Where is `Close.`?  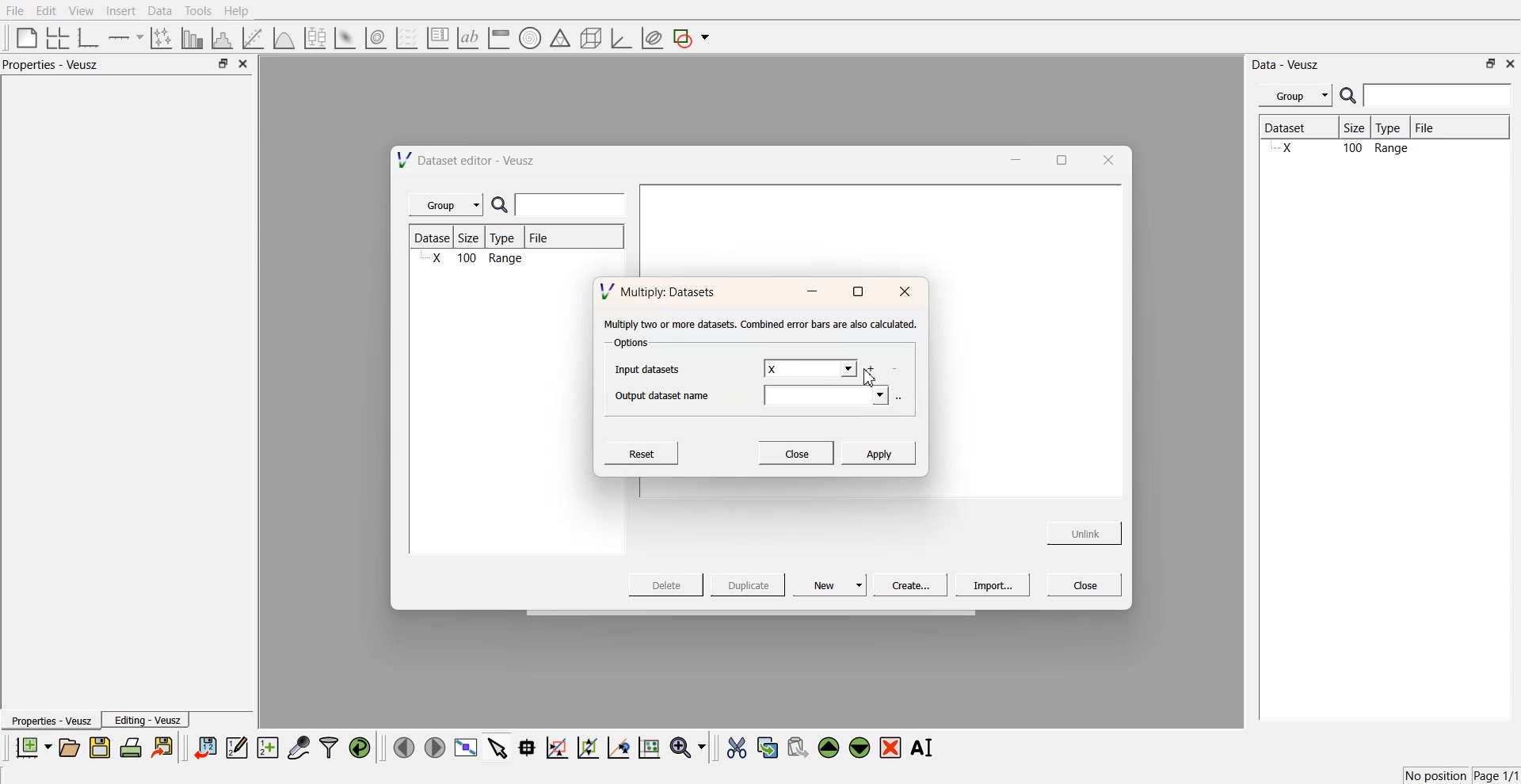 Close. is located at coordinates (797, 452).